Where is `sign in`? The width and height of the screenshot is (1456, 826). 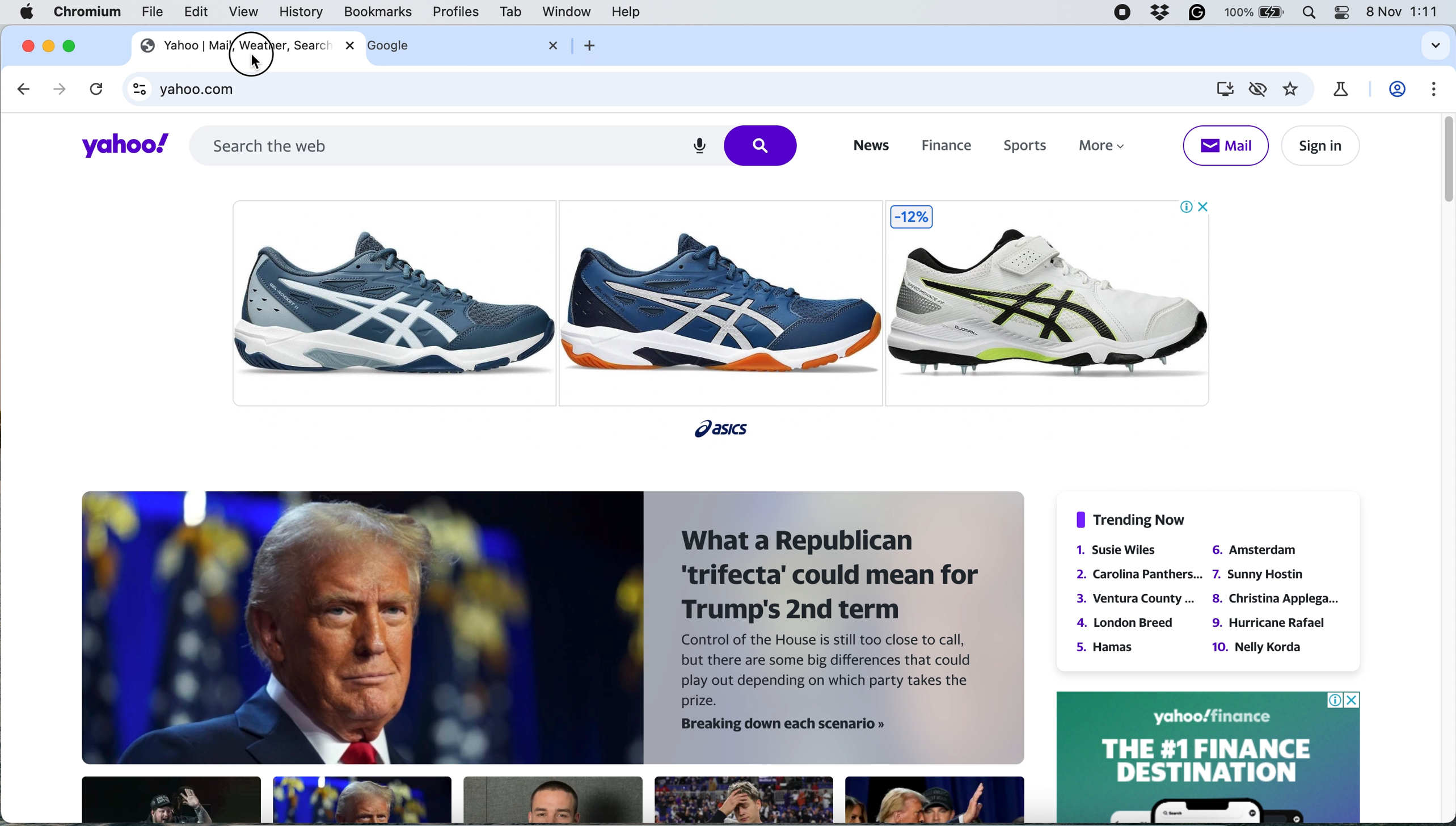
sign in is located at coordinates (1318, 146).